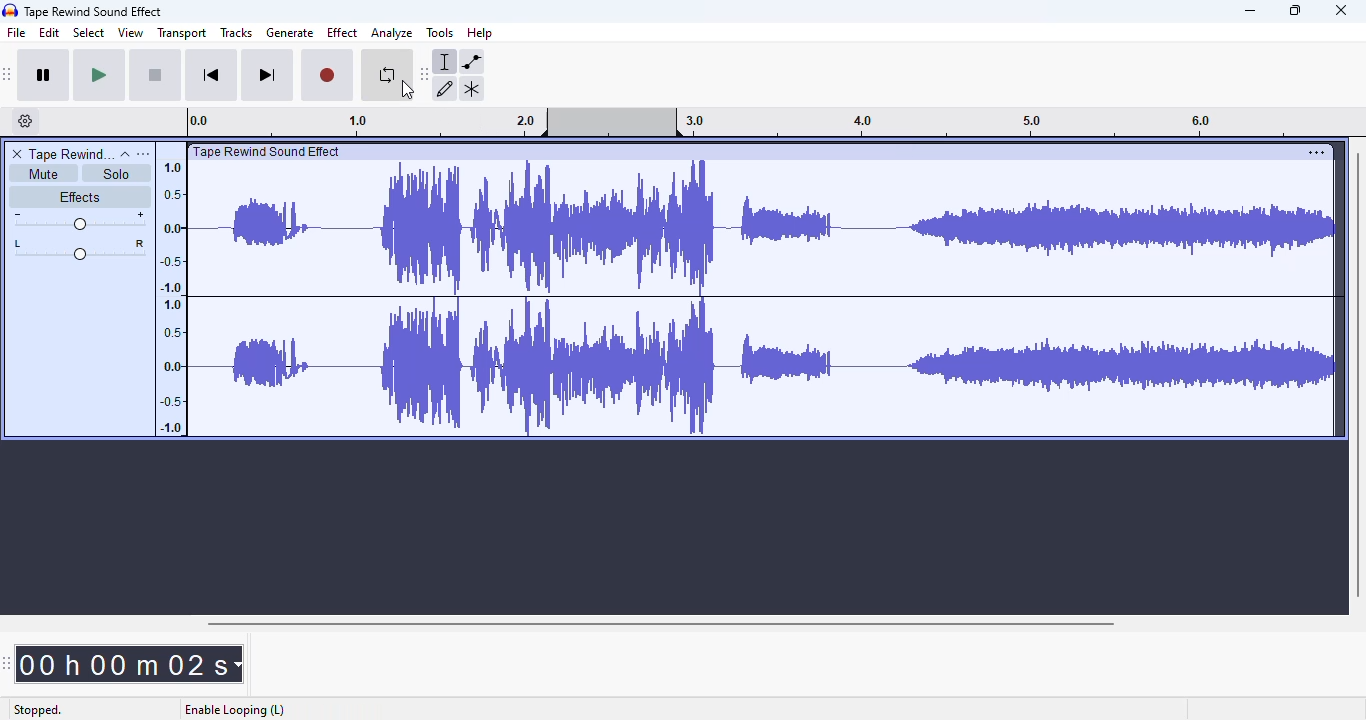  I want to click on maximize, so click(1297, 10).